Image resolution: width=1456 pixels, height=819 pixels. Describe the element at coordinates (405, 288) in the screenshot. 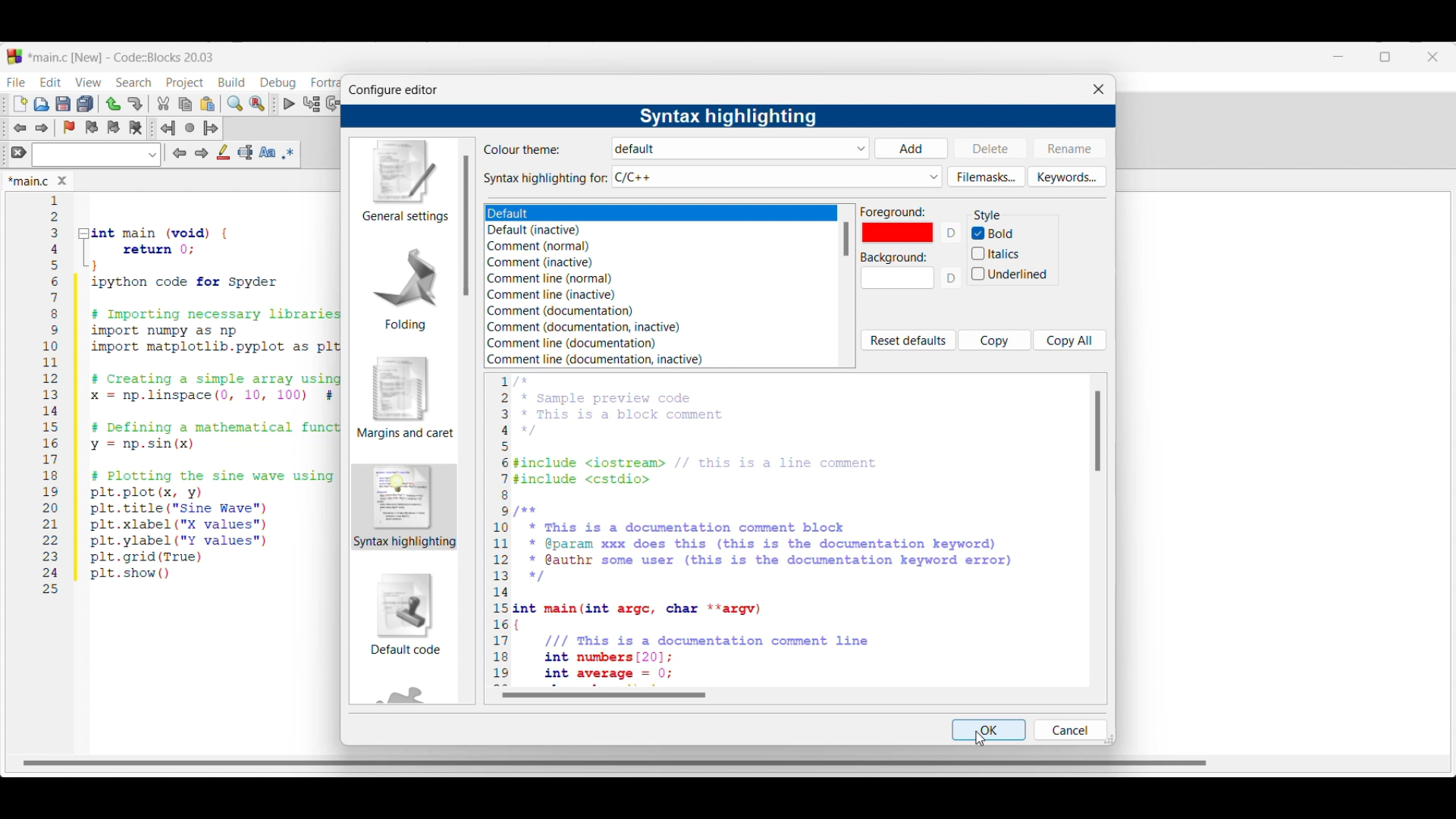

I see `Folding` at that location.